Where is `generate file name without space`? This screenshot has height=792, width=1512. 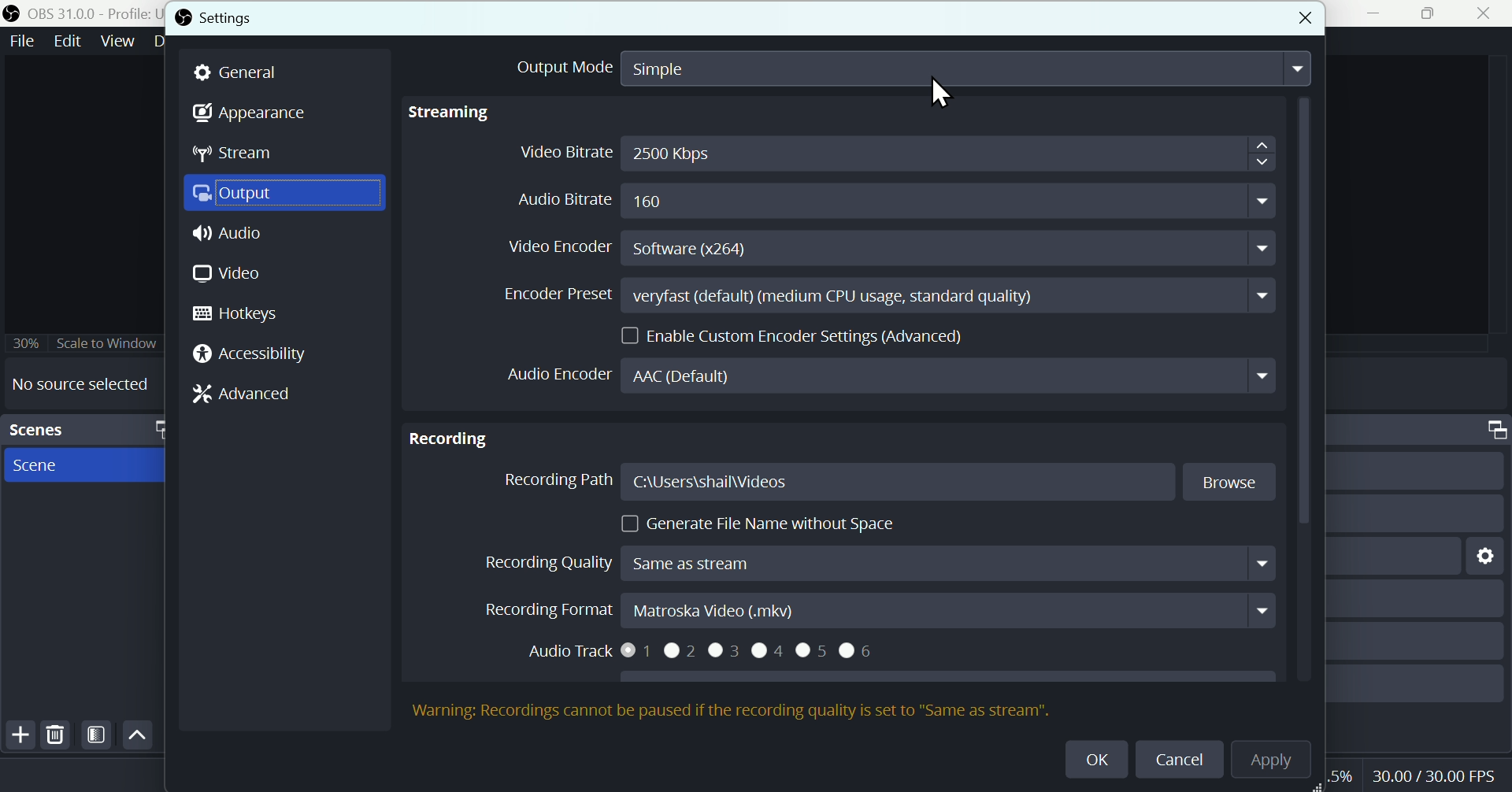 generate file name without space is located at coordinates (751, 519).